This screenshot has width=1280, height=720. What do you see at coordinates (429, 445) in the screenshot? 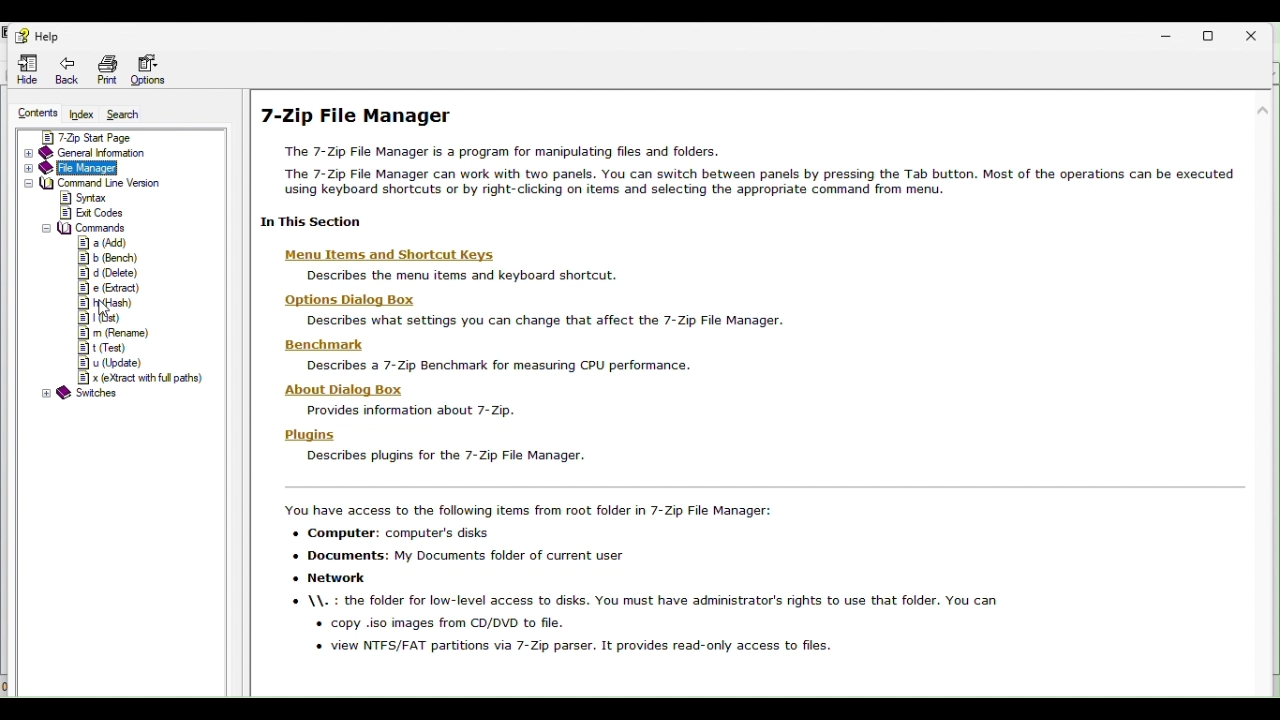
I see `Plugins` at bounding box center [429, 445].